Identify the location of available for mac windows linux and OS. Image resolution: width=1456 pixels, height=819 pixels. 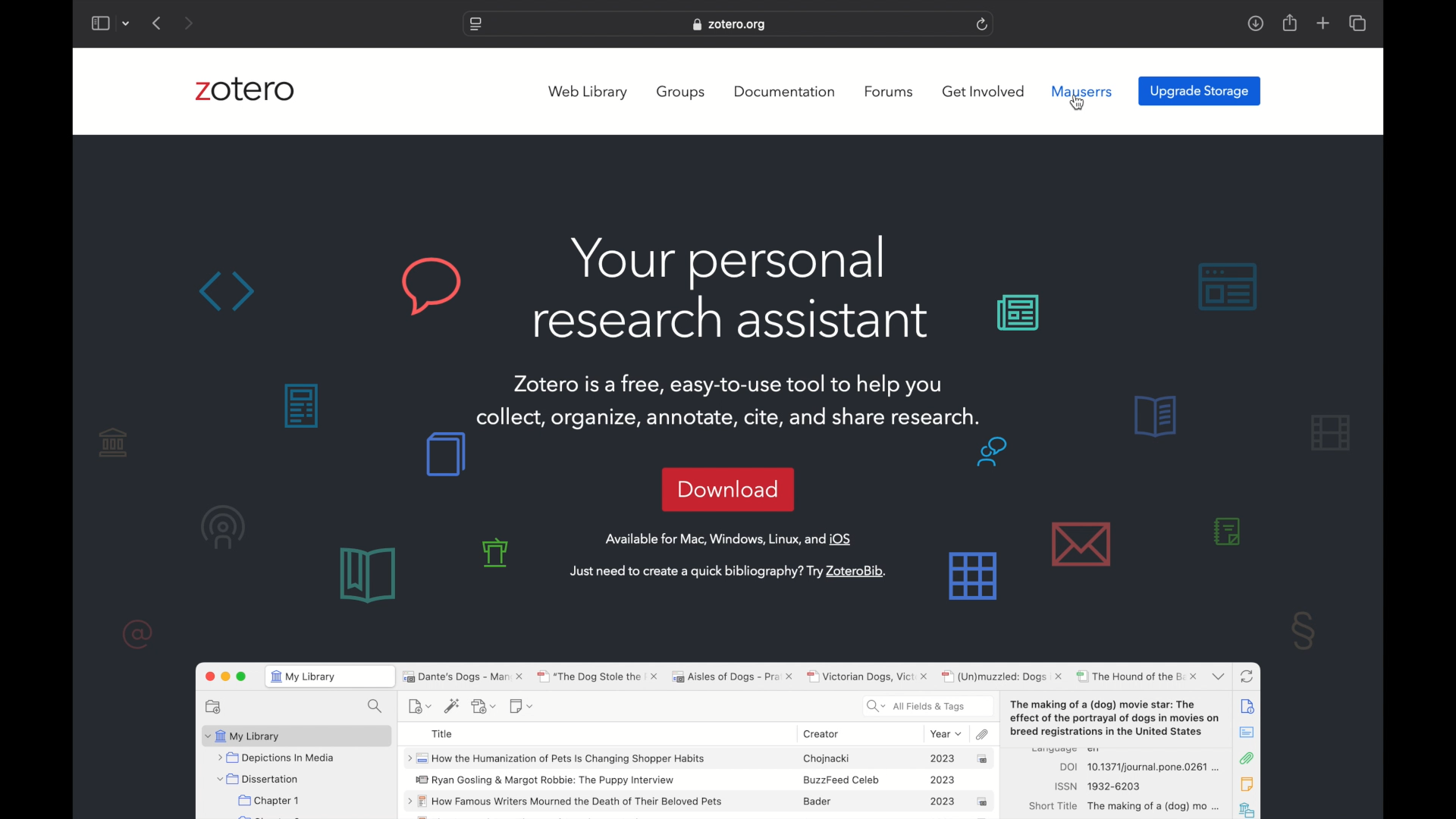
(730, 539).